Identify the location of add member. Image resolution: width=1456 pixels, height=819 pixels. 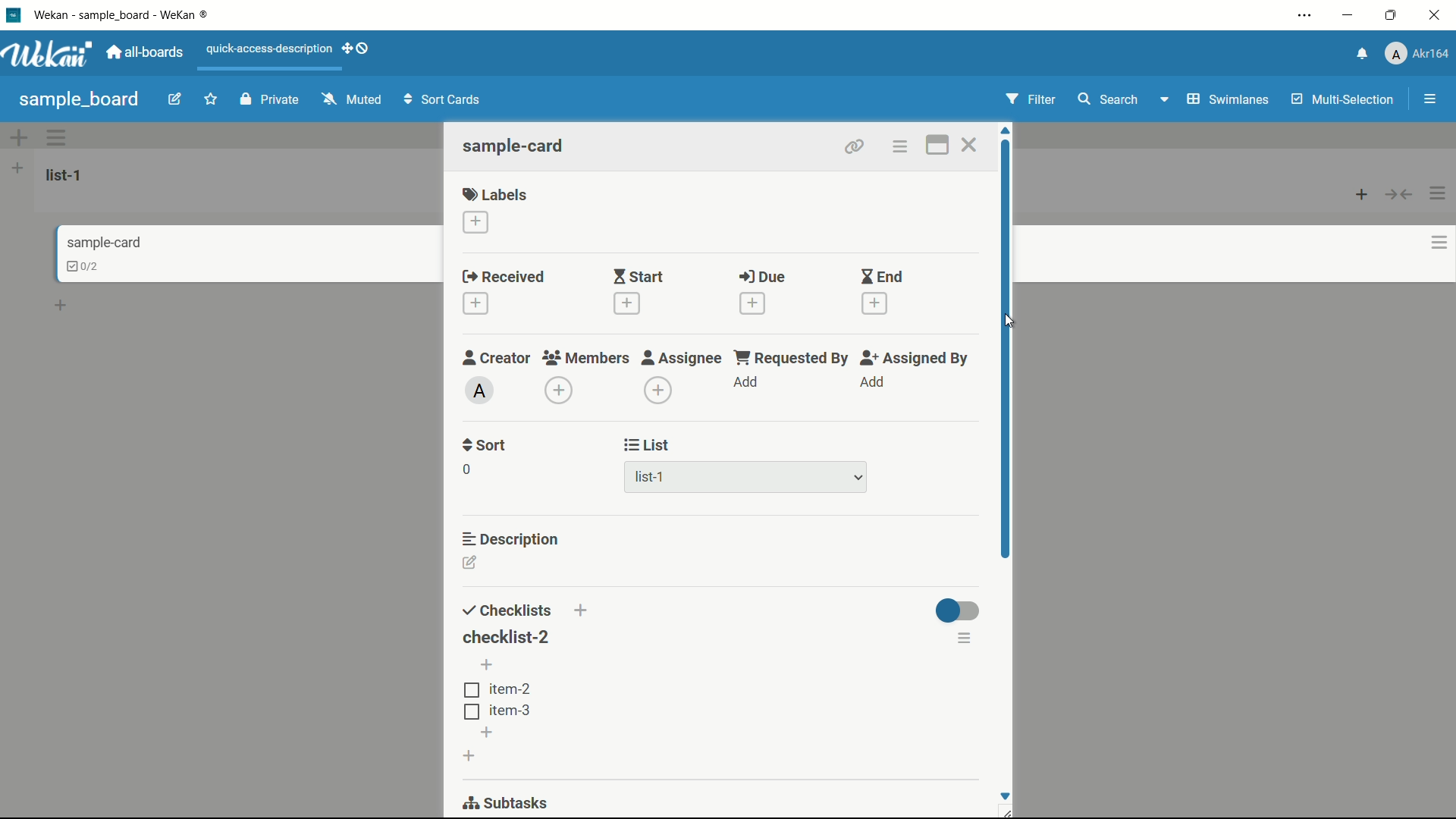
(559, 391).